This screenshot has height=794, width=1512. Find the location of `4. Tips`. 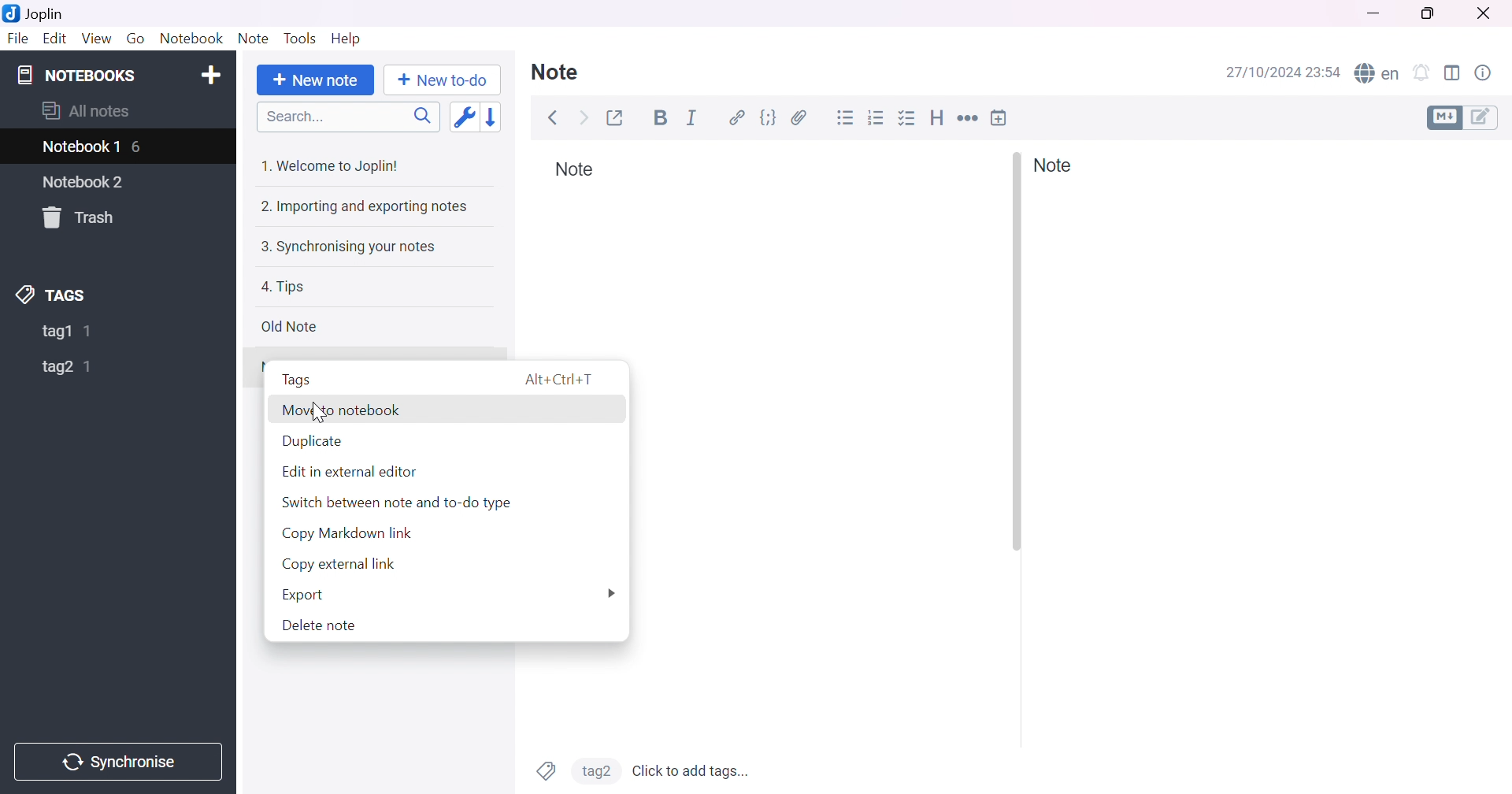

4. Tips is located at coordinates (283, 287).